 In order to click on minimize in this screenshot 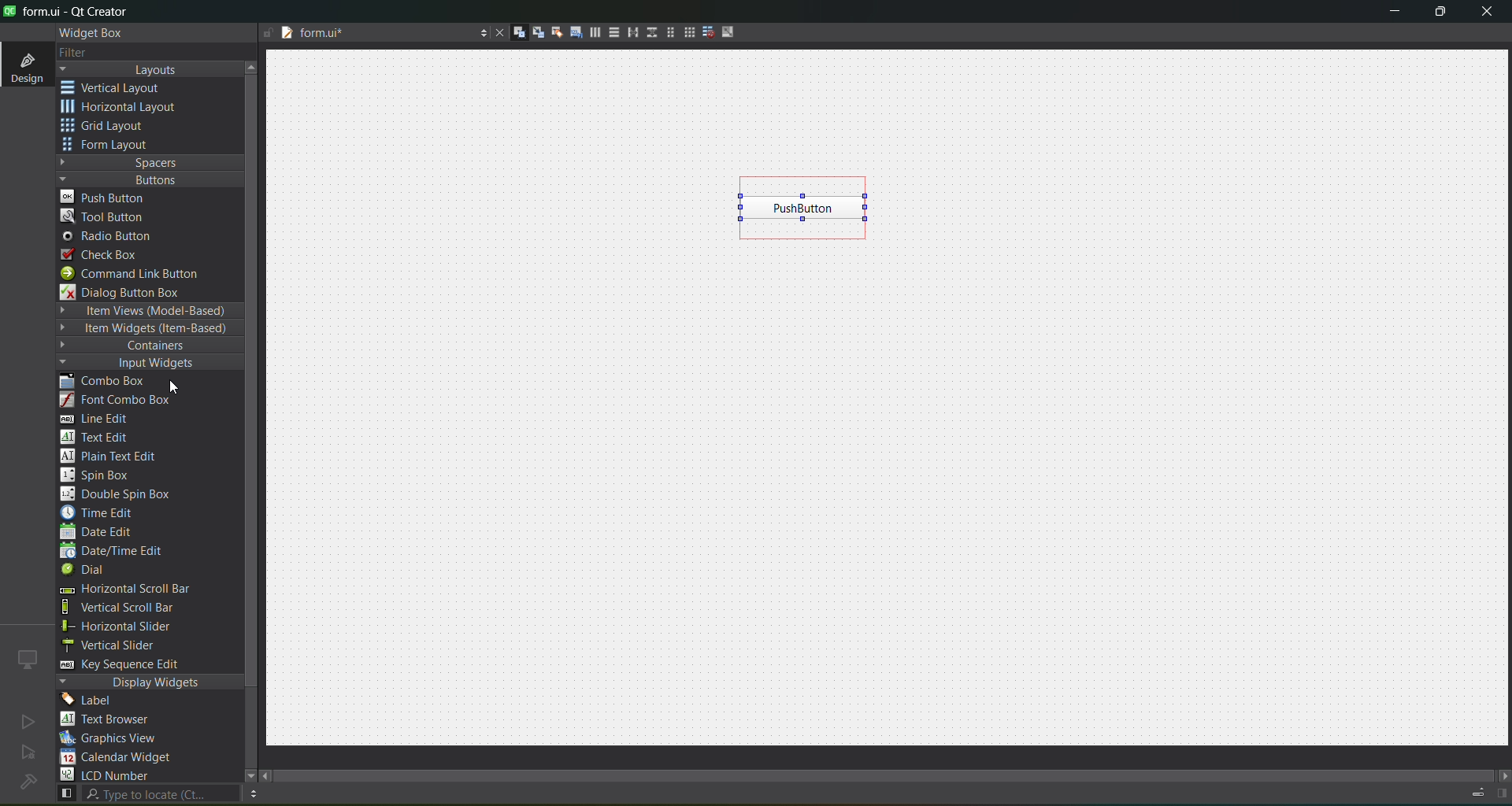, I will do `click(1395, 14)`.